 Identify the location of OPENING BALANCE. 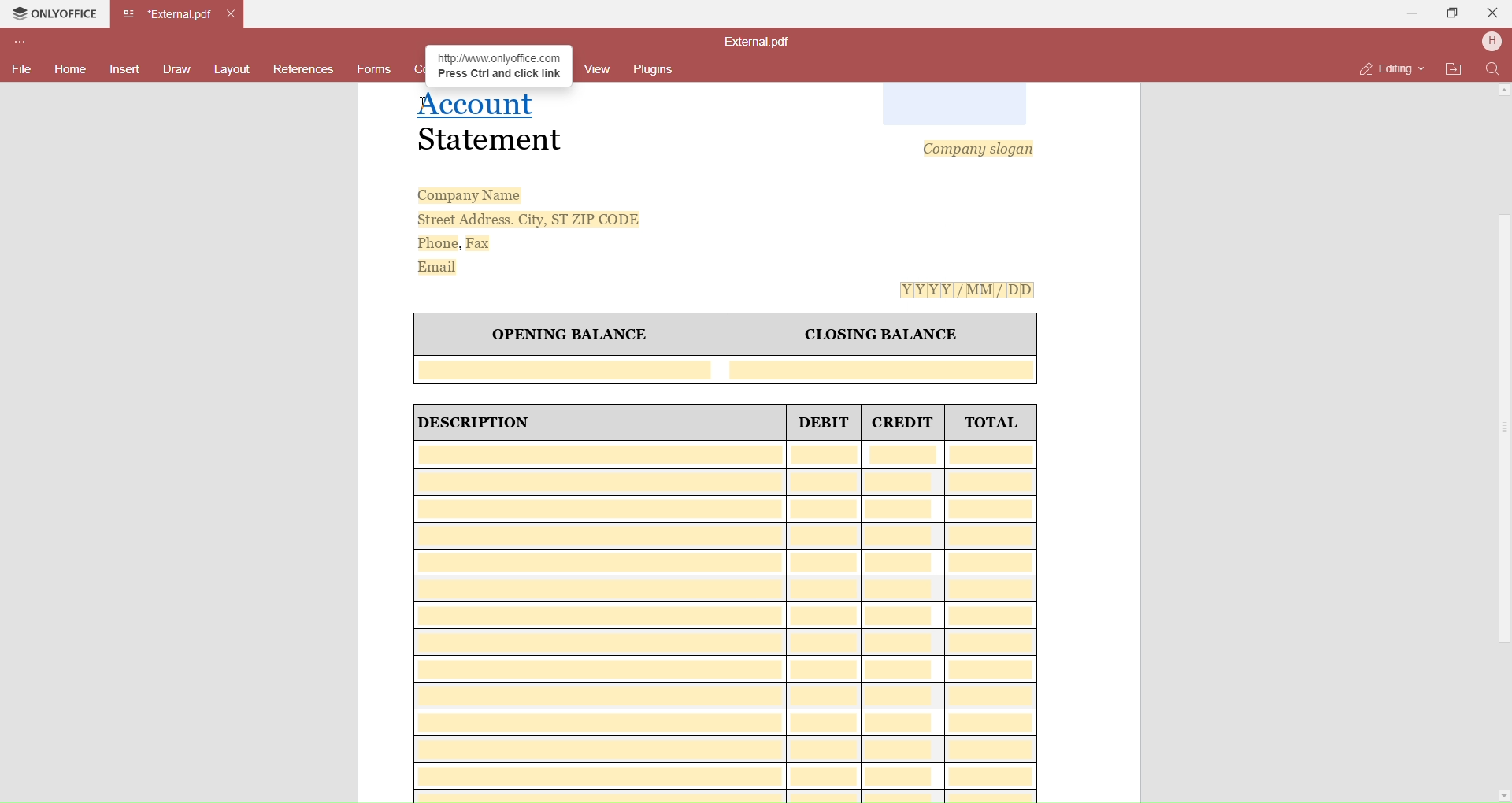
(569, 335).